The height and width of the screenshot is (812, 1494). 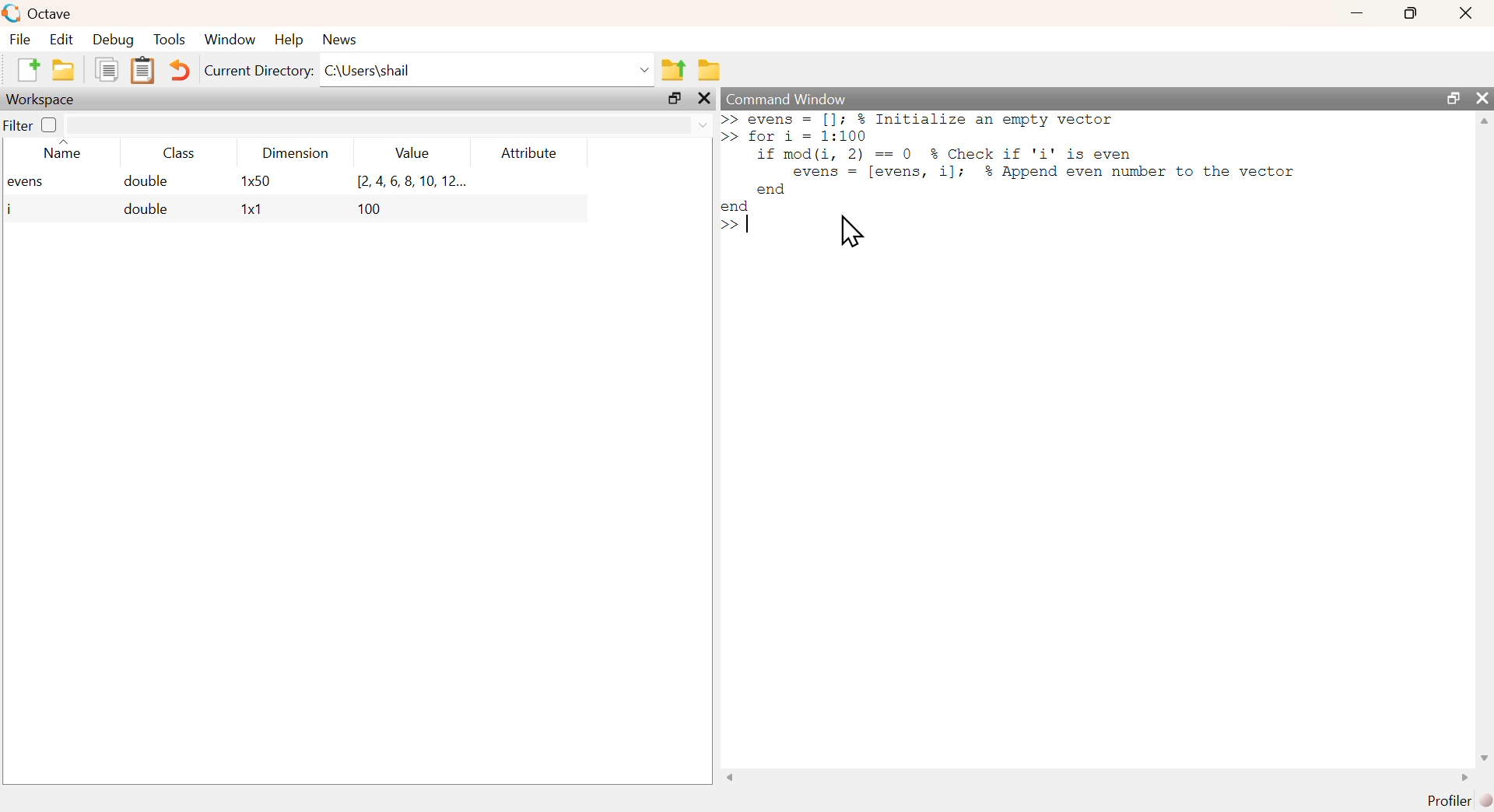 What do you see at coordinates (63, 69) in the screenshot?
I see `open an existing file in editor` at bounding box center [63, 69].